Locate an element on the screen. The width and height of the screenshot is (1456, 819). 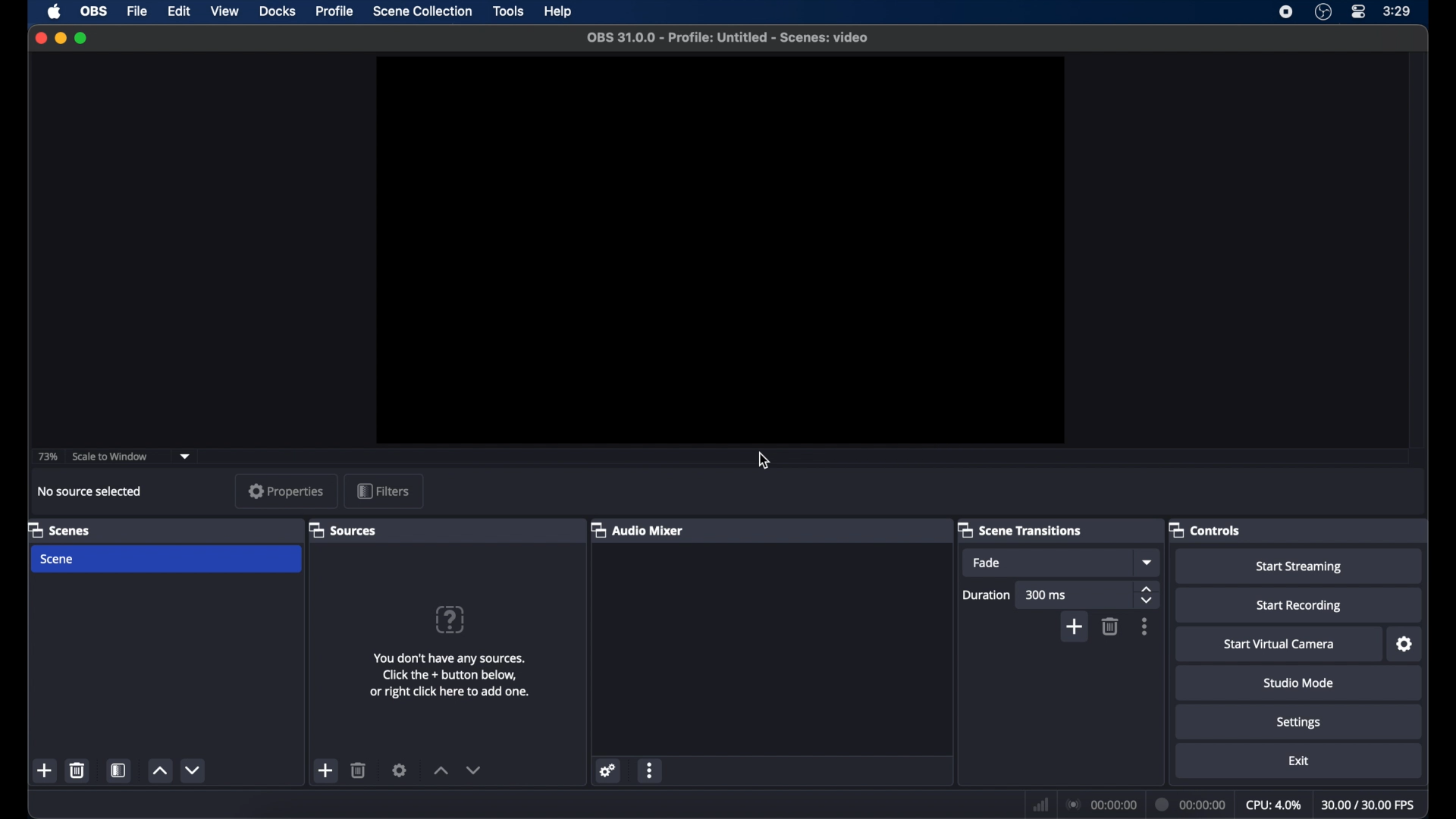
decrement is located at coordinates (194, 770).